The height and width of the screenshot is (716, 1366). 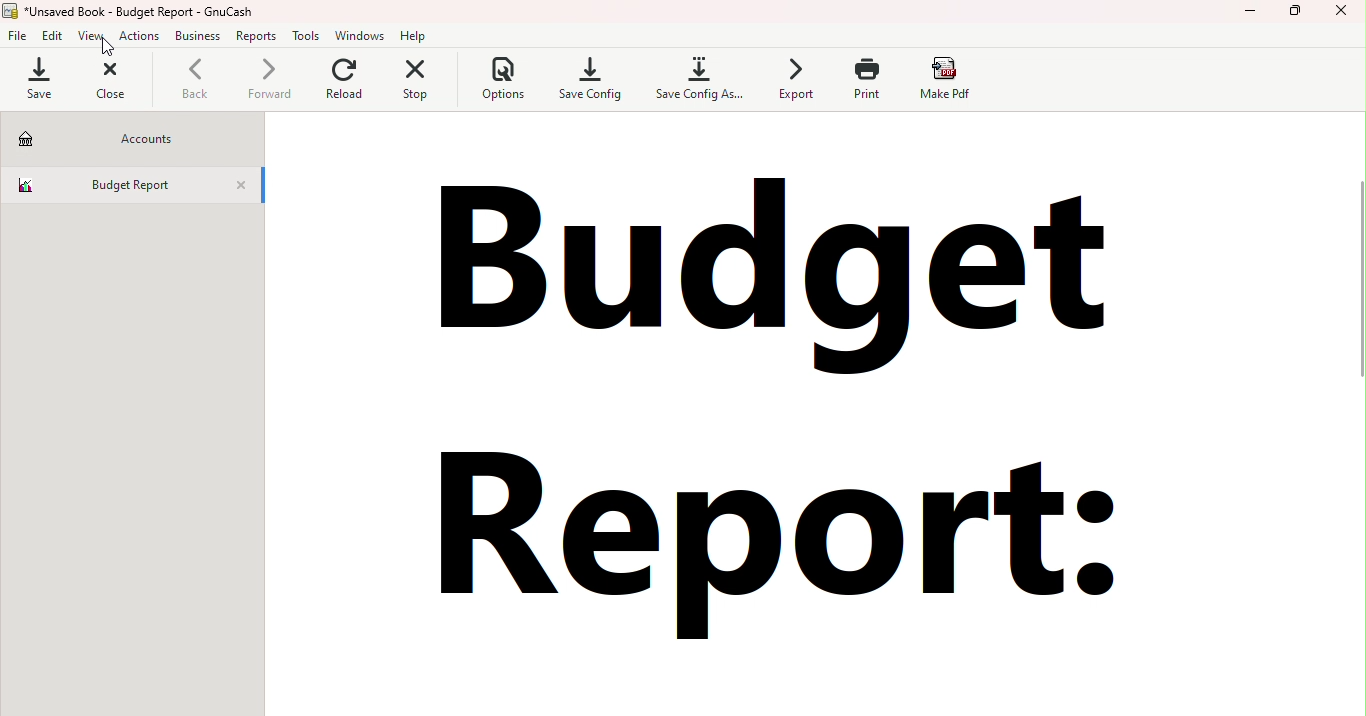 What do you see at coordinates (1295, 13) in the screenshot?
I see `Maximize` at bounding box center [1295, 13].